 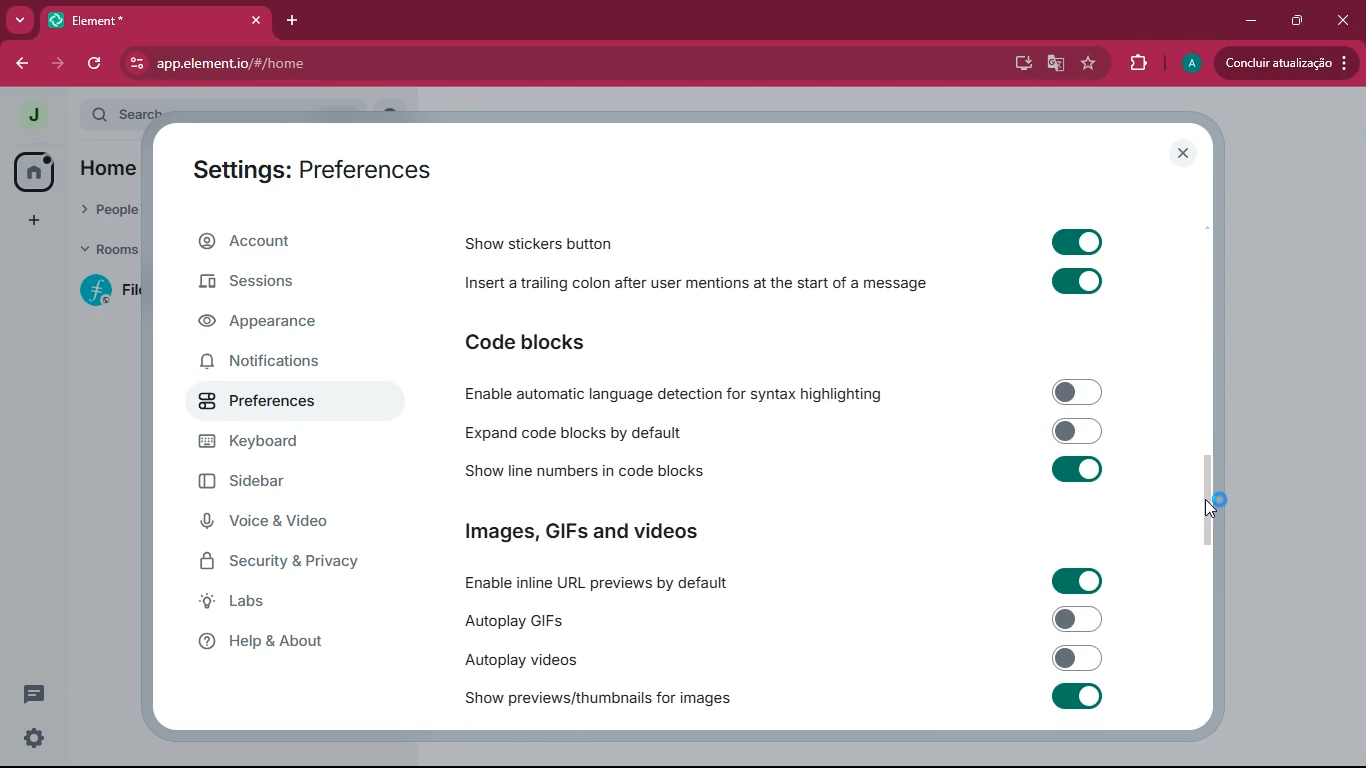 I want to click on Sessions, so click(x=266, y=282).